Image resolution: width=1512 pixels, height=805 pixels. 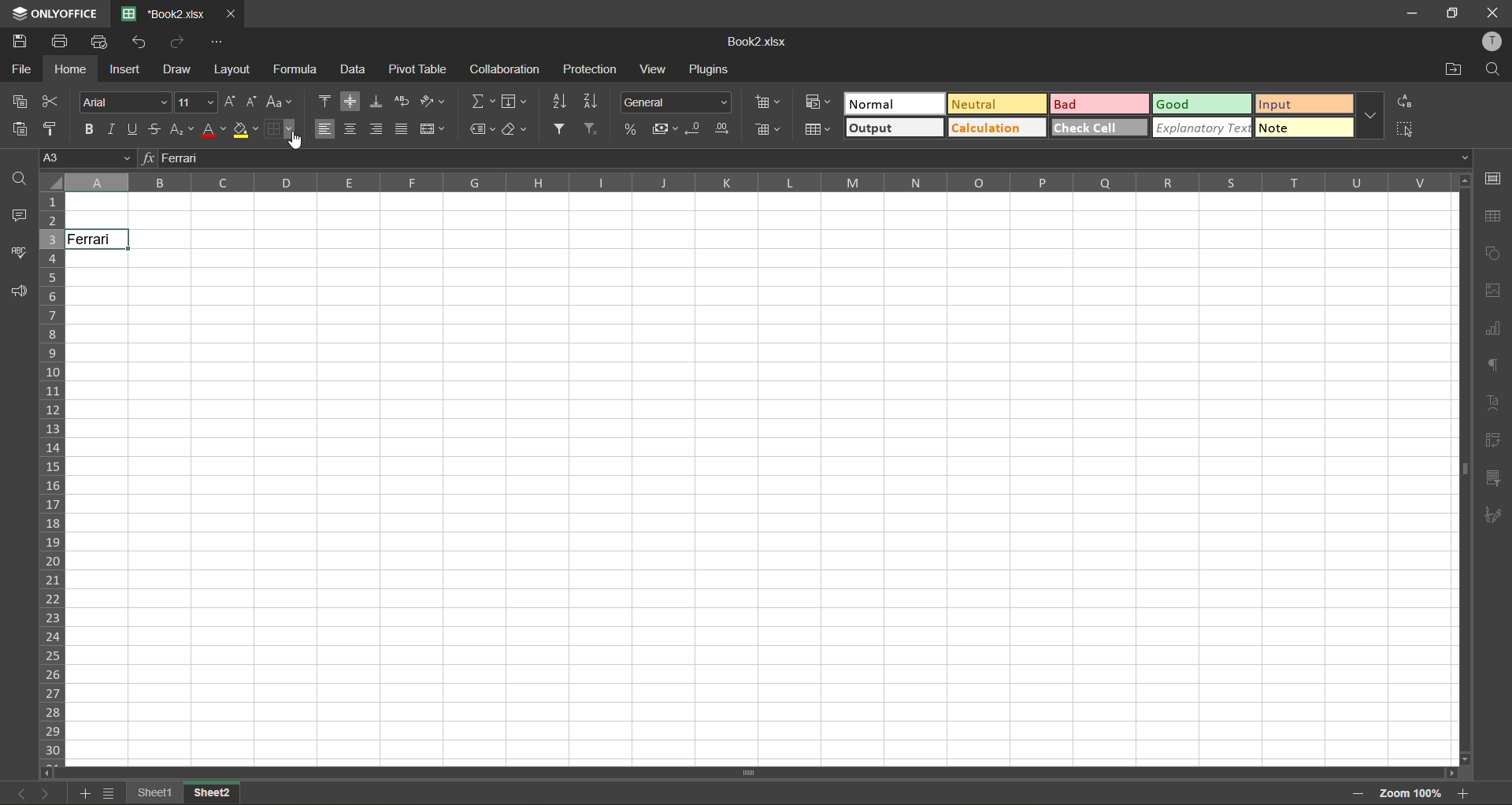 What do you see at coordinates (195, 101) in the screenshot?
I see `font size` at bounding box center [195, 101].